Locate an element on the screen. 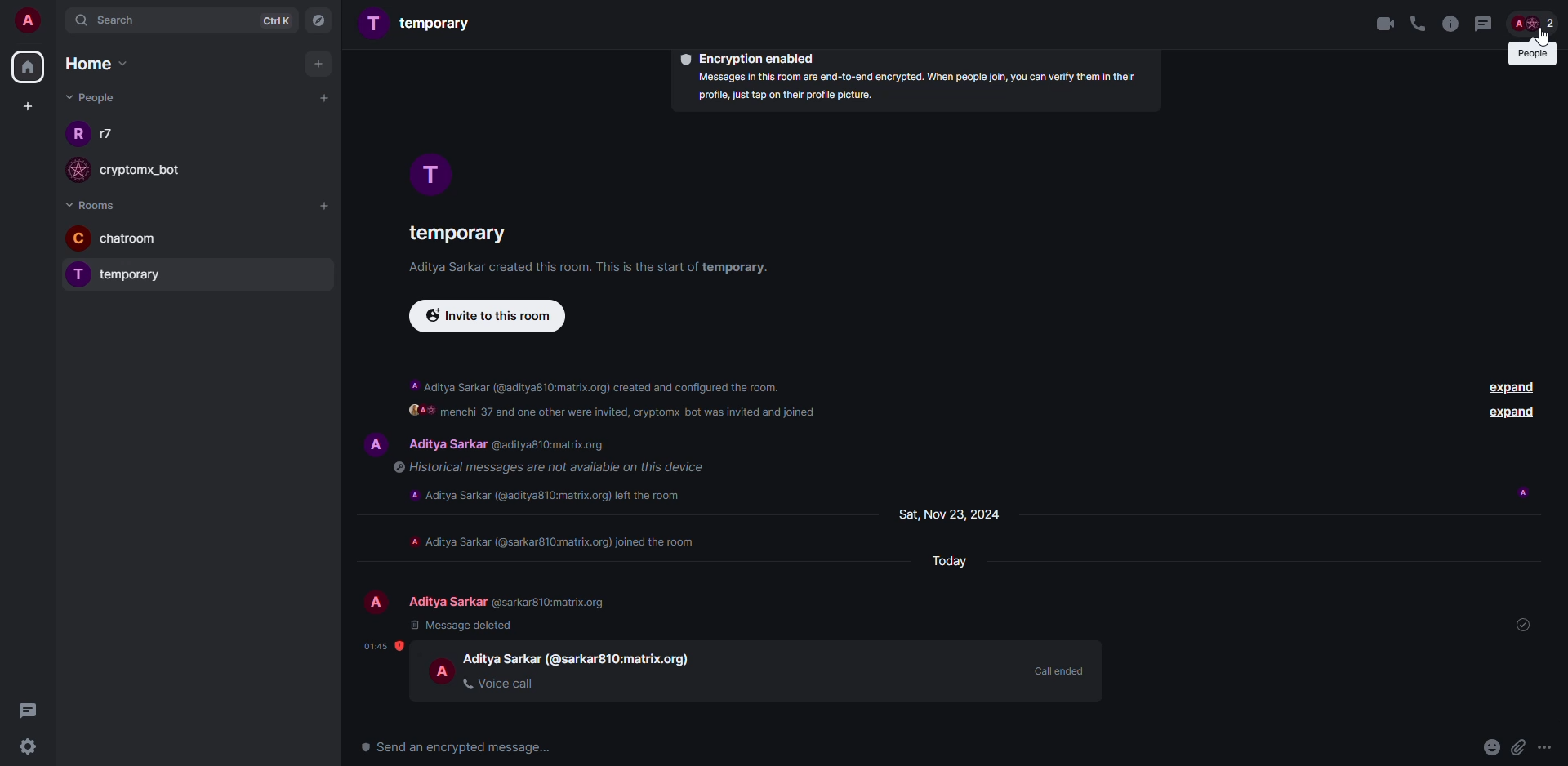 This screenshot has width=1568, height=766. profile is located at coordinates (443, 670).